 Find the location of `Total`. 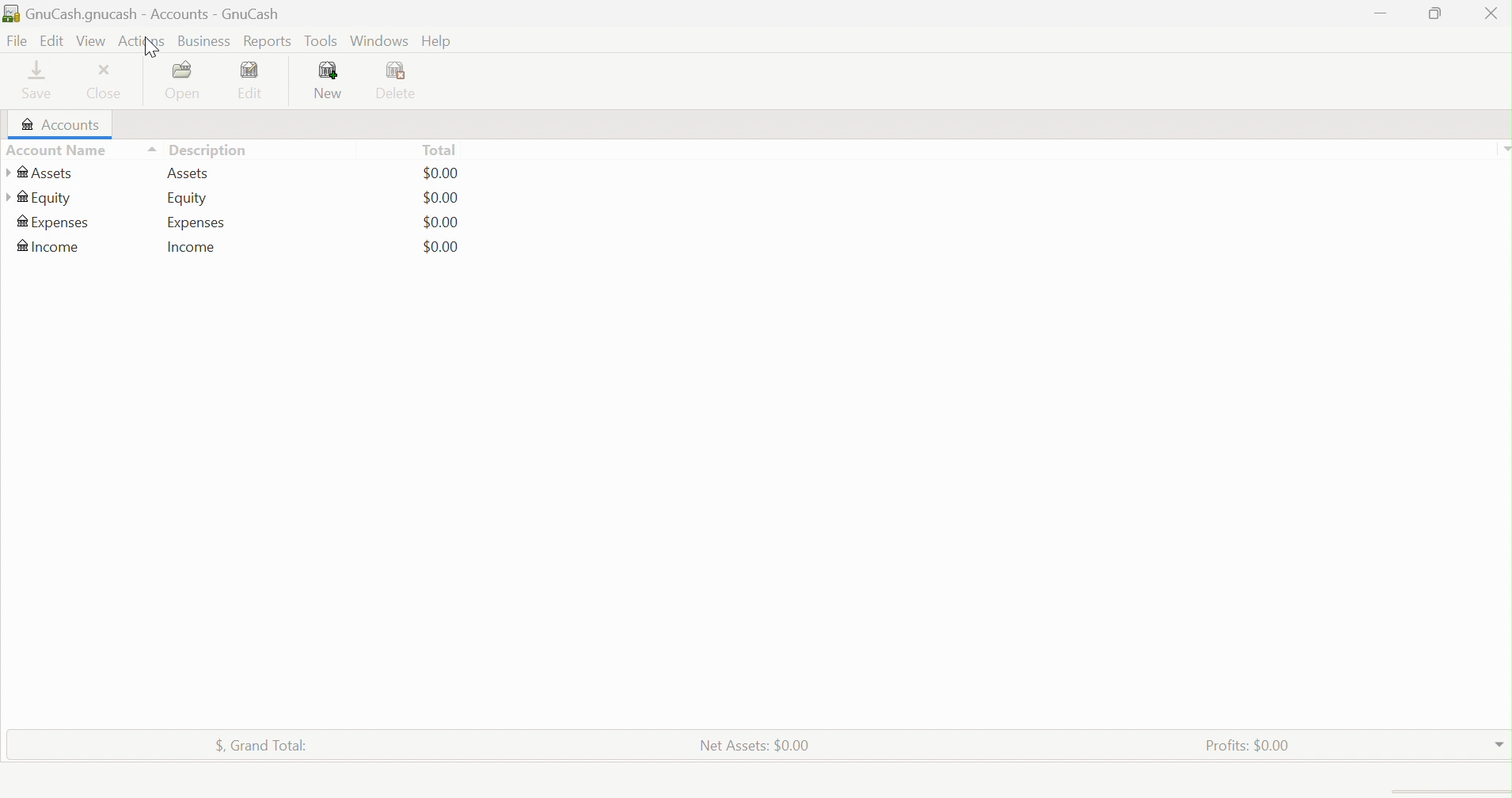

Total is located at coordinates (439, 150).